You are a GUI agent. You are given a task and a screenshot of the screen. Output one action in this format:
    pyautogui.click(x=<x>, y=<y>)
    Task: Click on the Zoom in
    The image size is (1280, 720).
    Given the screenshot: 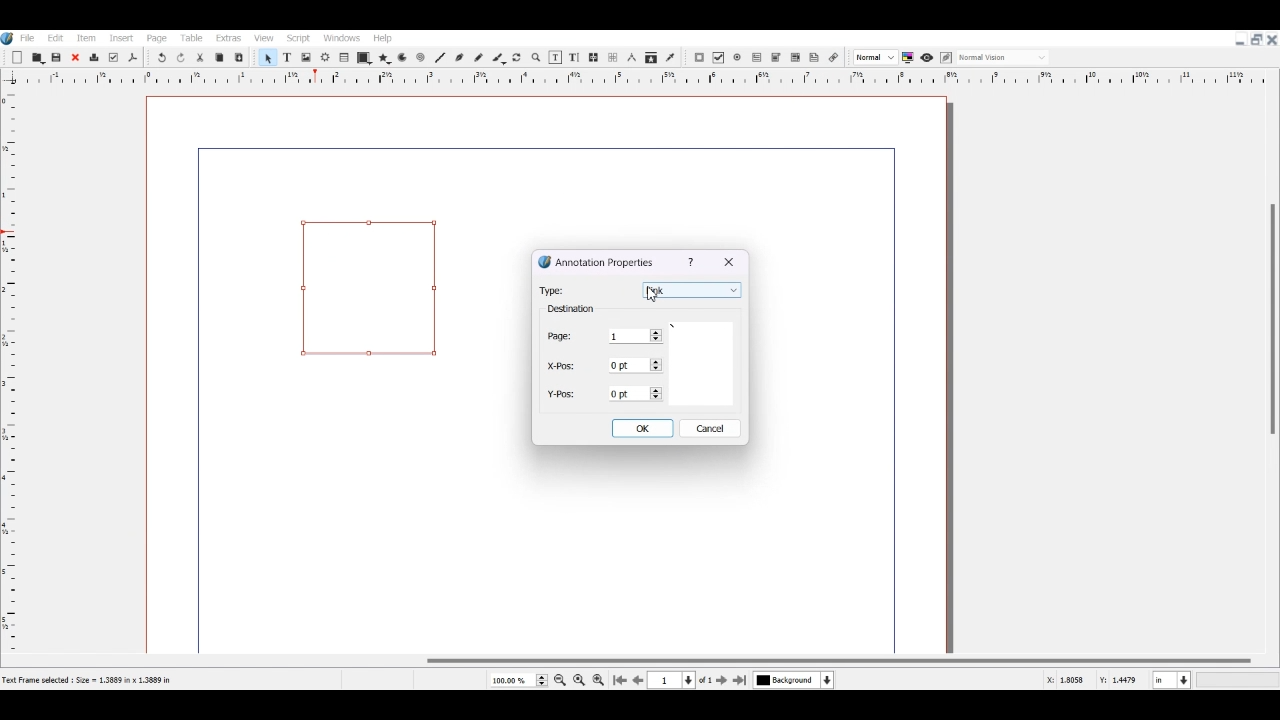 What is the action you would take?
    pyautogui.click(x=598, y=679)
    